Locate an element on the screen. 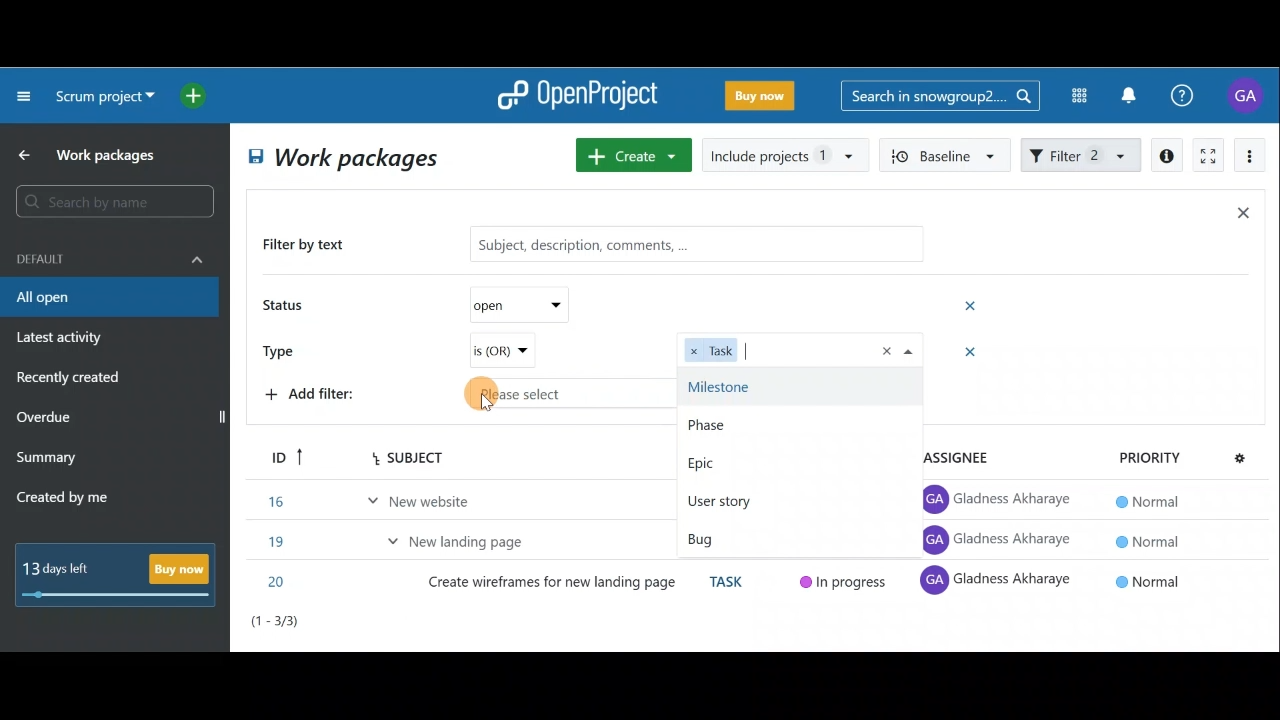  Search bar is located at coordinates (940, 94).